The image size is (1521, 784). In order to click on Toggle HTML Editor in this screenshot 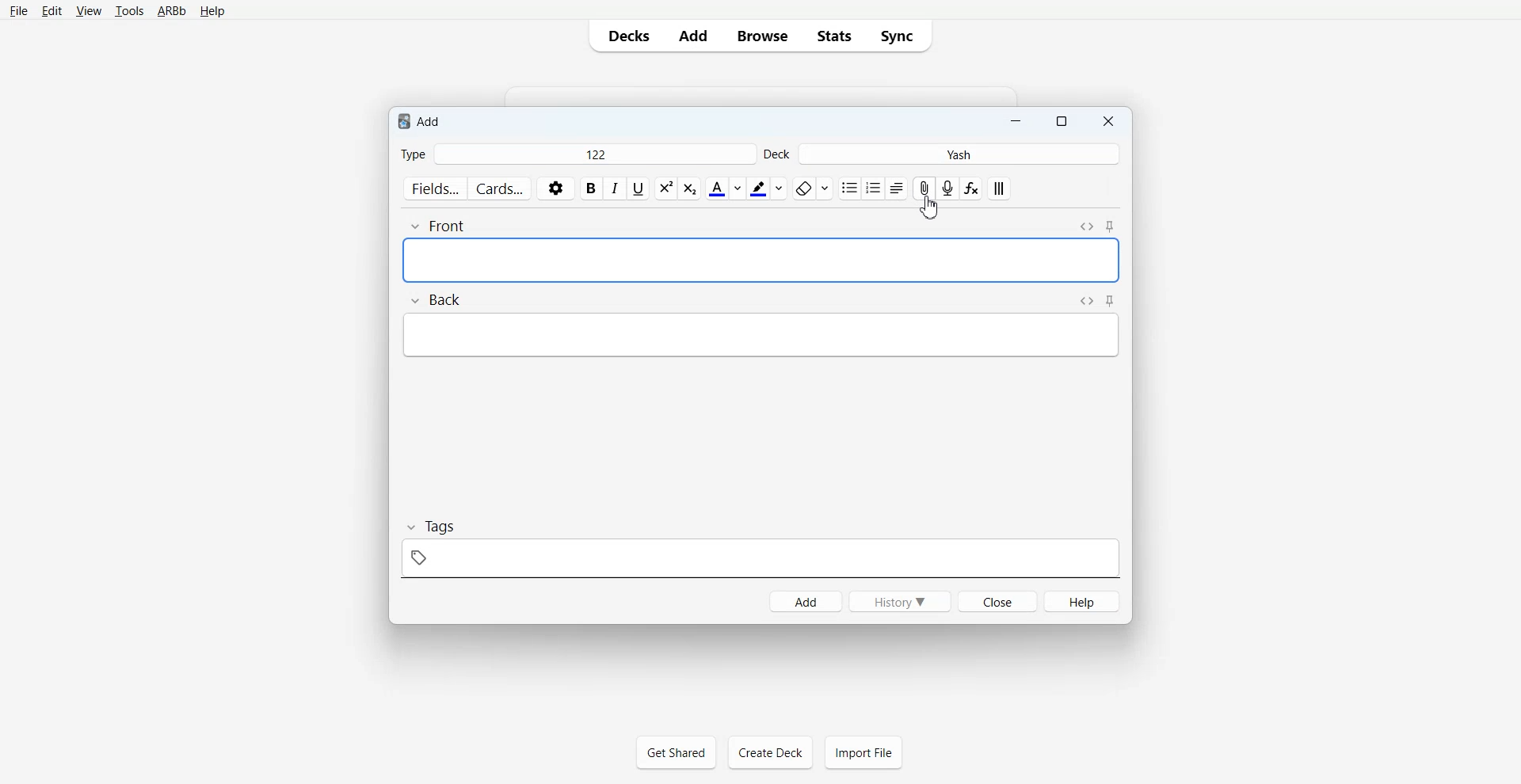, I will do `click(1088, 301)`.